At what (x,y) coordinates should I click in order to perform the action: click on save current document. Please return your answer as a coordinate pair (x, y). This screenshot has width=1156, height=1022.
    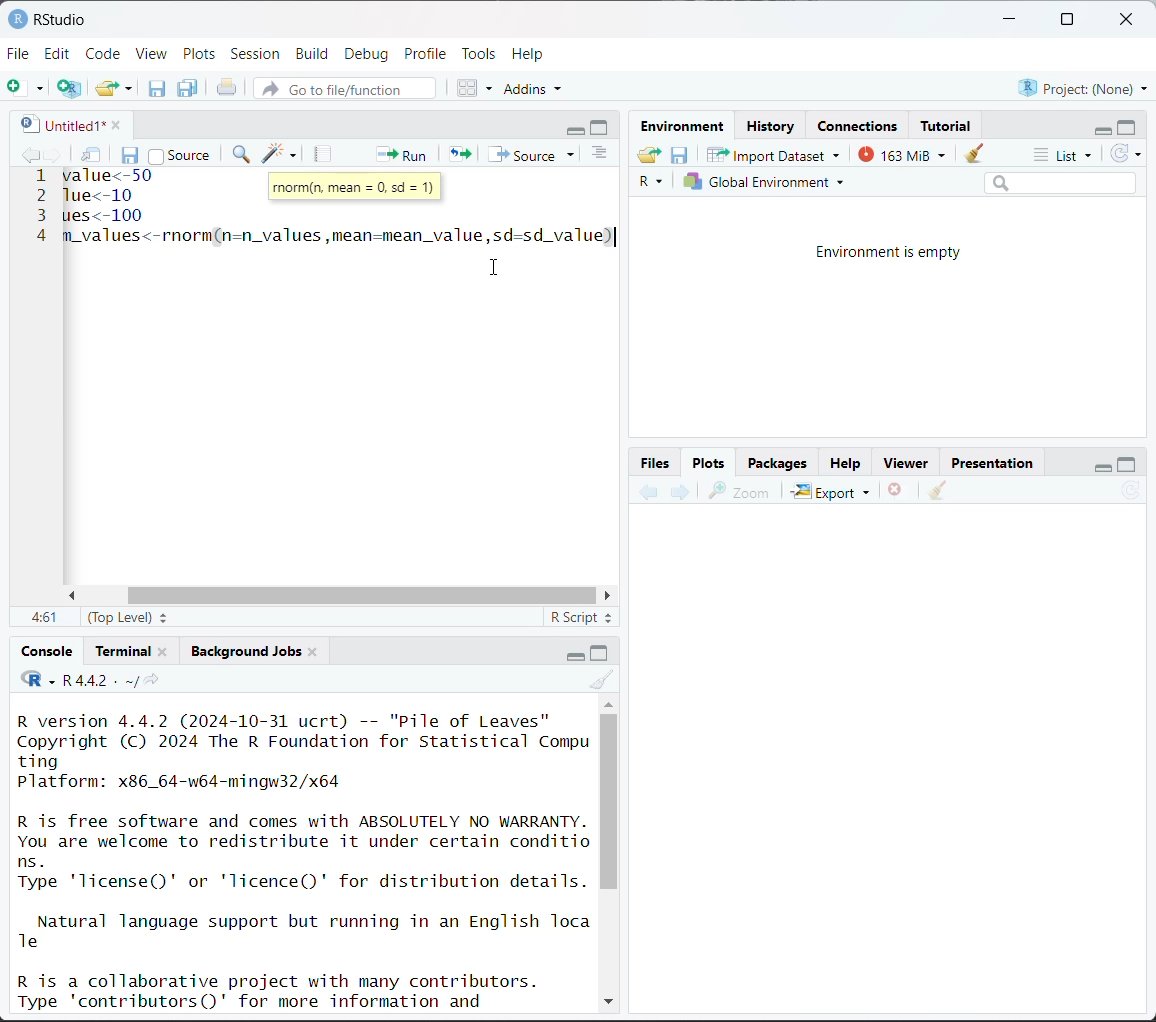
    Looking at the image, I should click on (157, 88).